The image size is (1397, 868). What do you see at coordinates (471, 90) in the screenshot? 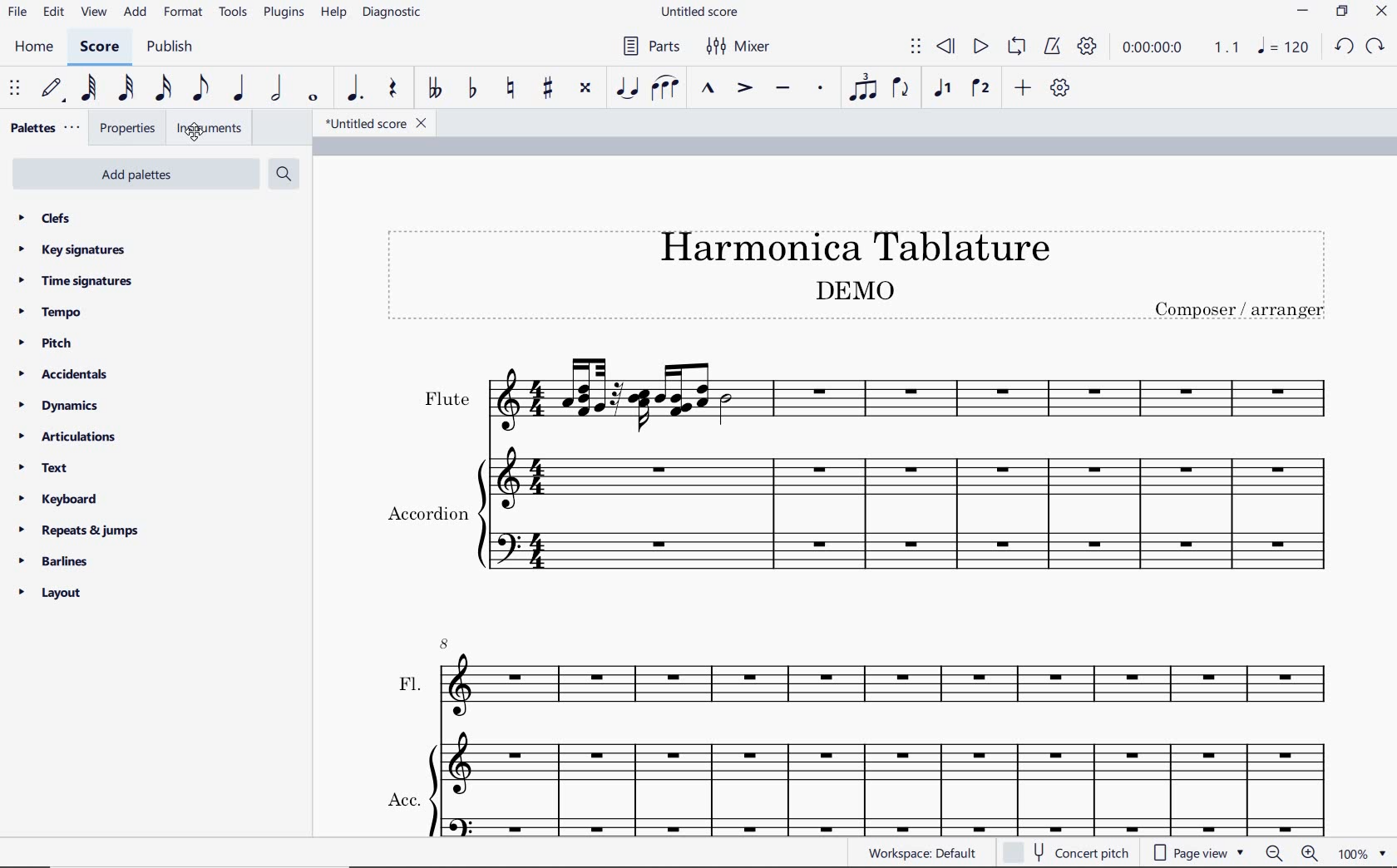
I see `toggle flat` at bounding box center [471, 90].